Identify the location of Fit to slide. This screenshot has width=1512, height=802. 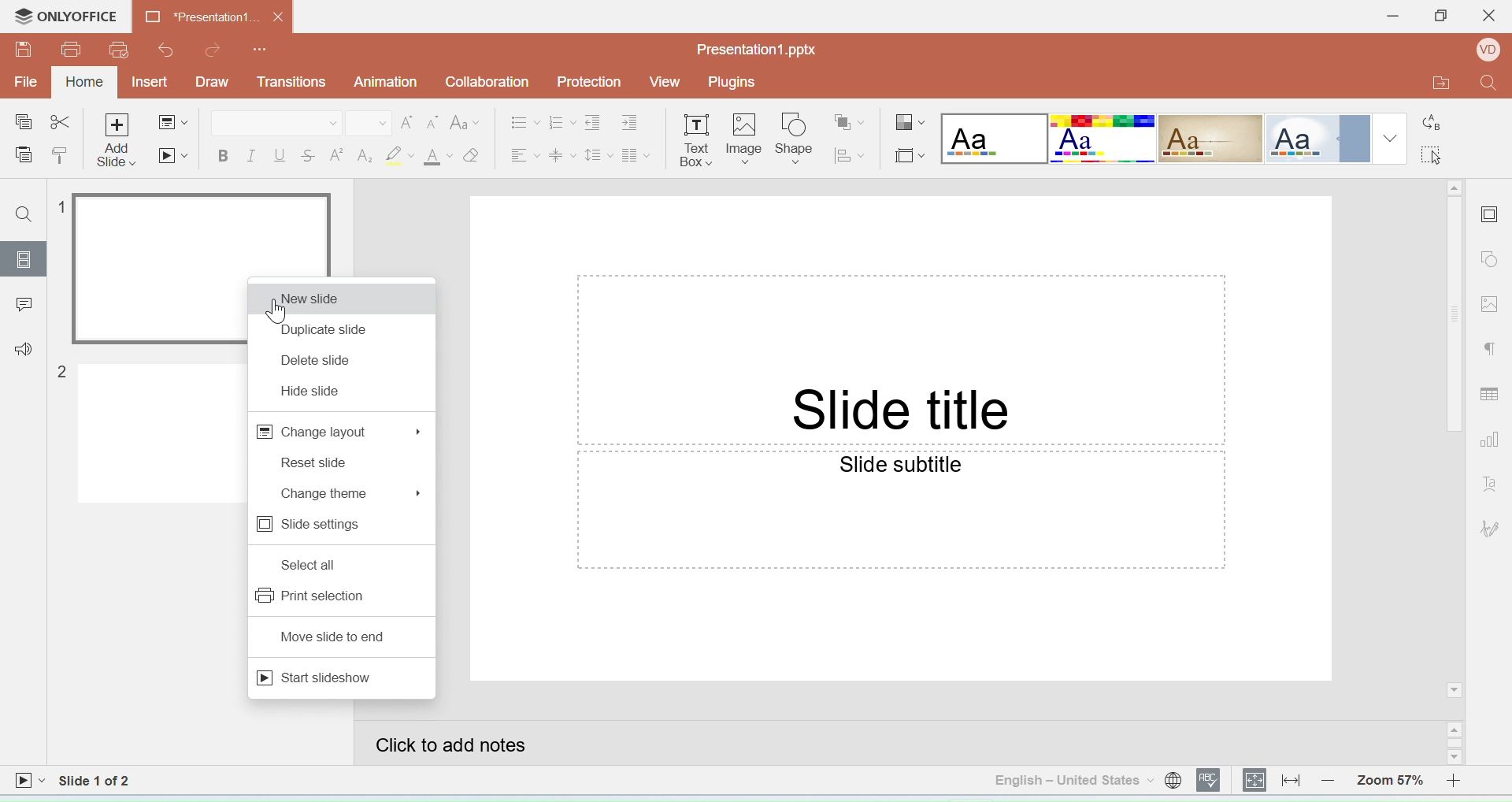
(1255, 781).